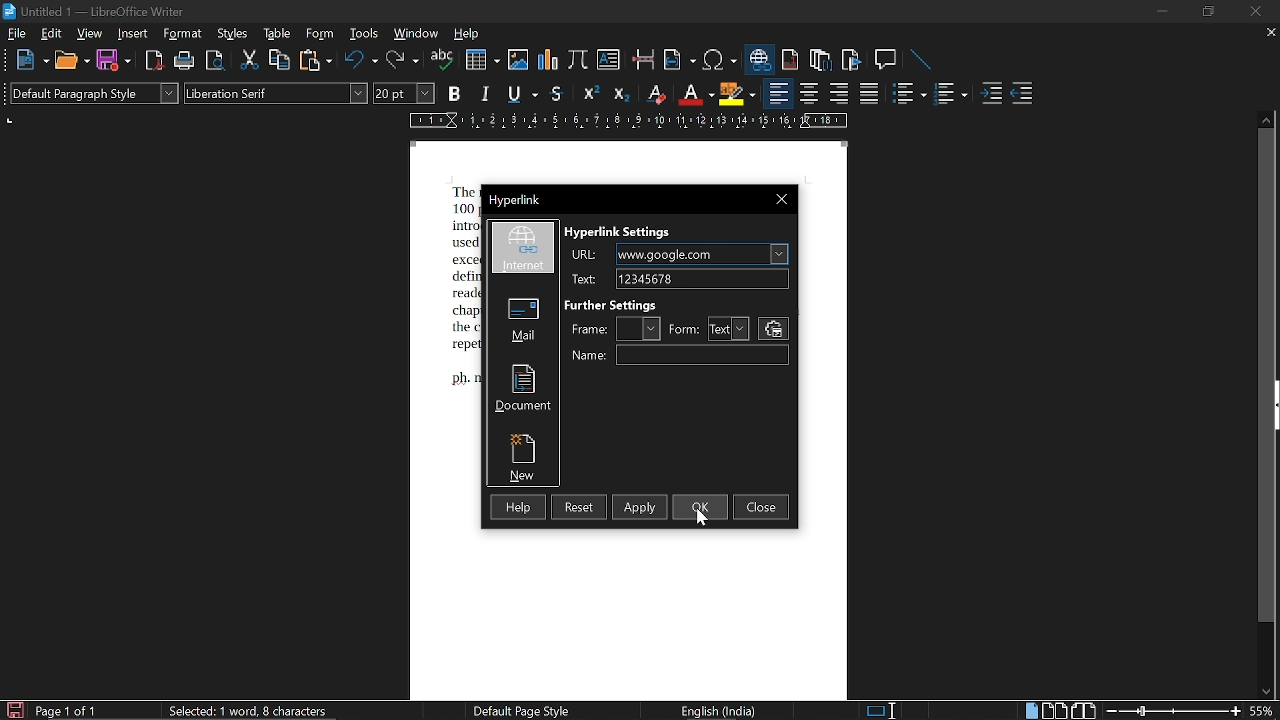 The height and width of the screenshot is (720, 1280). I want to click on settings, so click(773, 329).